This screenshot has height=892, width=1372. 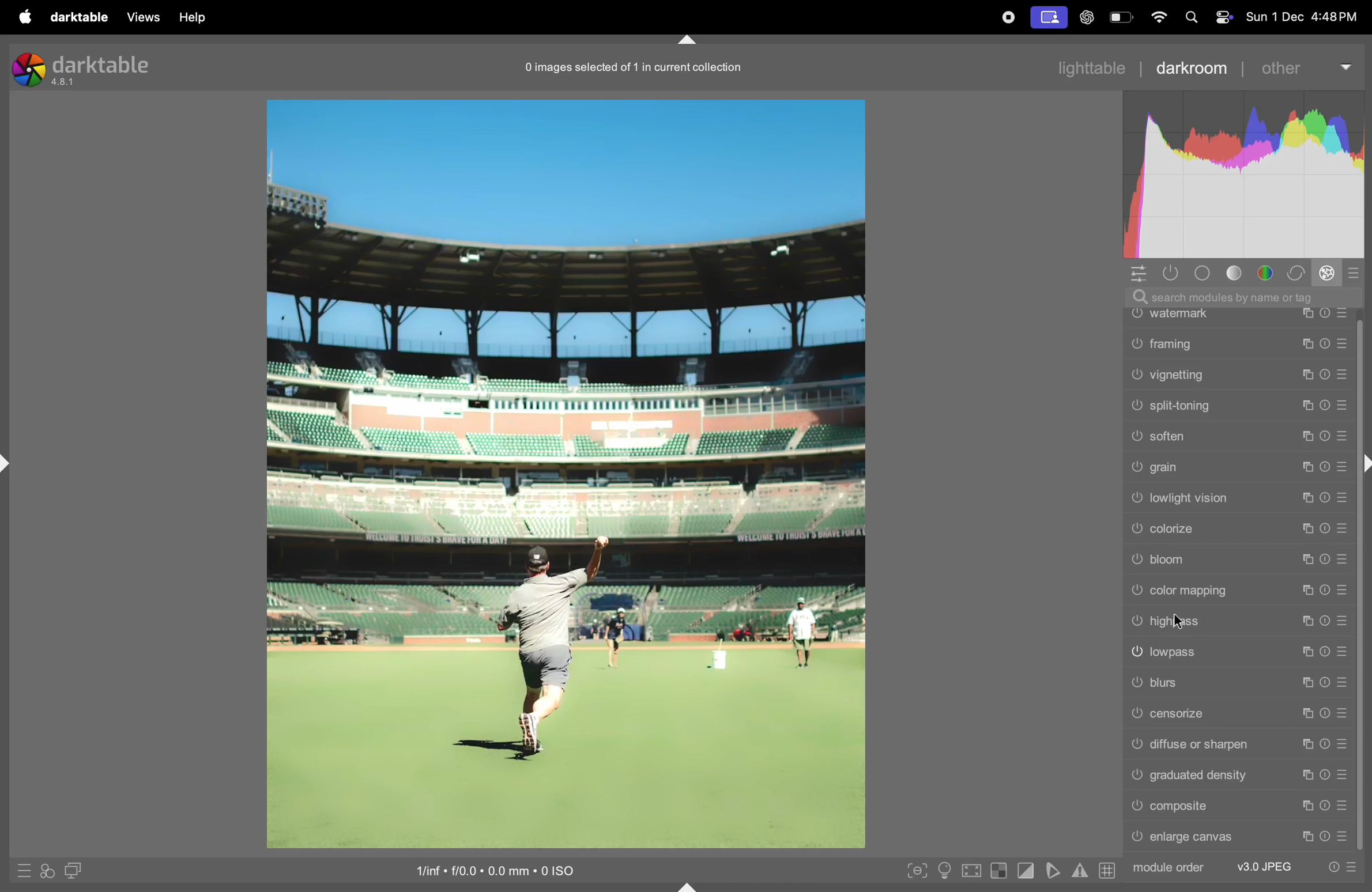 What do you see at coordinates (694, 40) in the screenshot?
I see `markdown` at bounding box center [694, 40].